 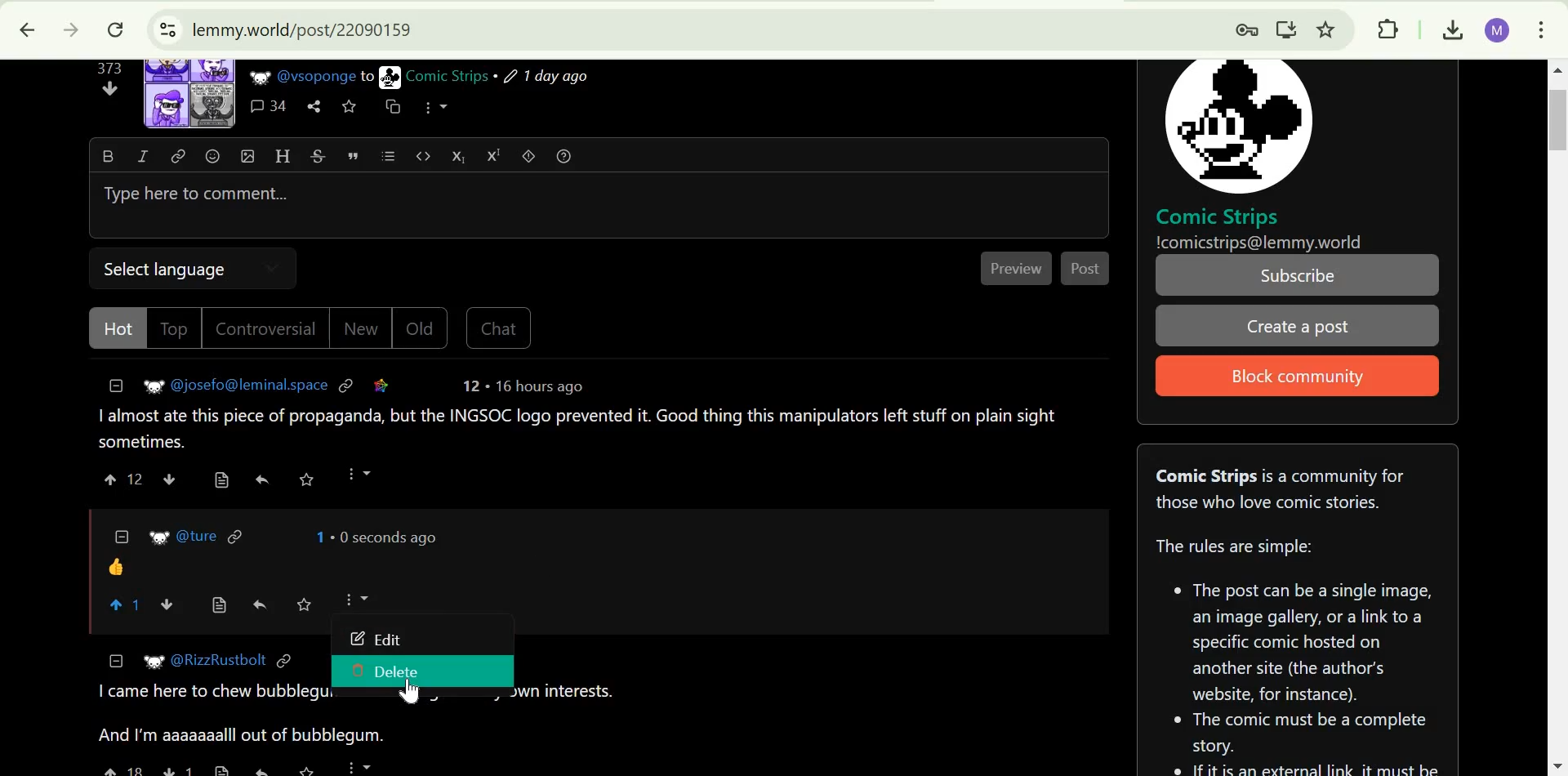 What do you see at coordinates (159, 537) in the screenshot?
I see `picture` at bounding box center [159, 537].